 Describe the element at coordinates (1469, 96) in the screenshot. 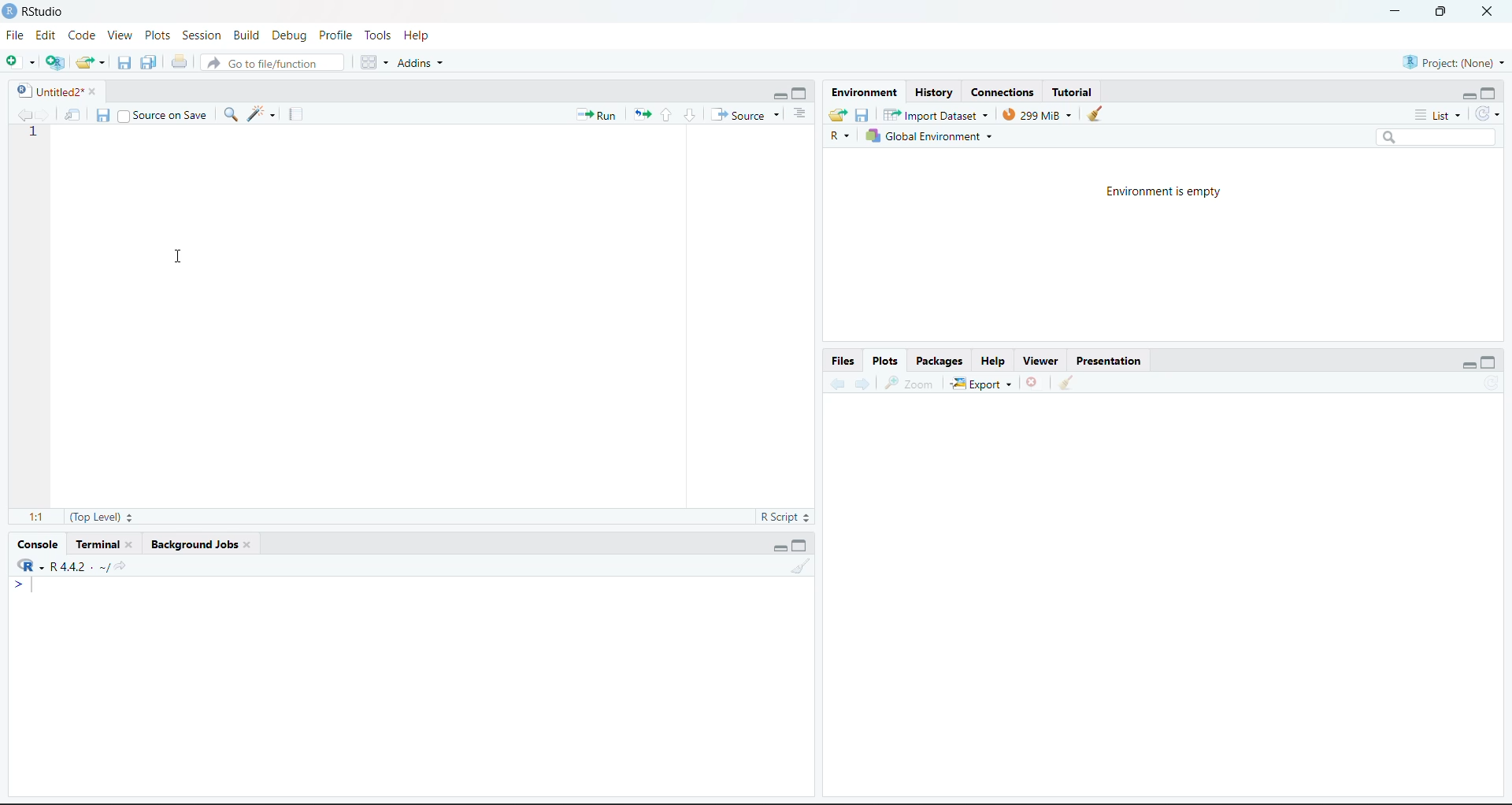

I see `minimize` at that location.